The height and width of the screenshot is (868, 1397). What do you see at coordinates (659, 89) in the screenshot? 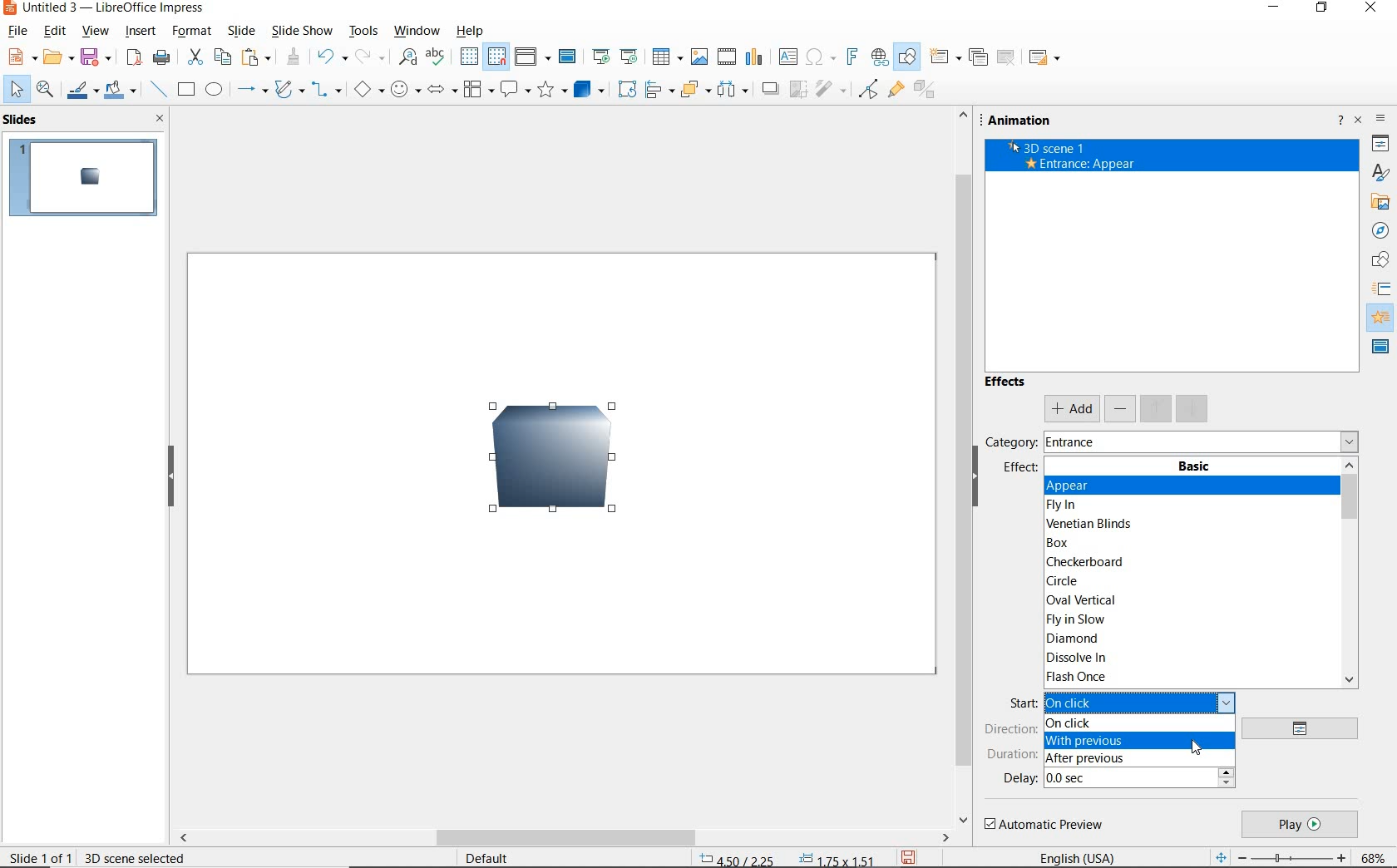
I see `align objects` at bounding box center [659, 89].